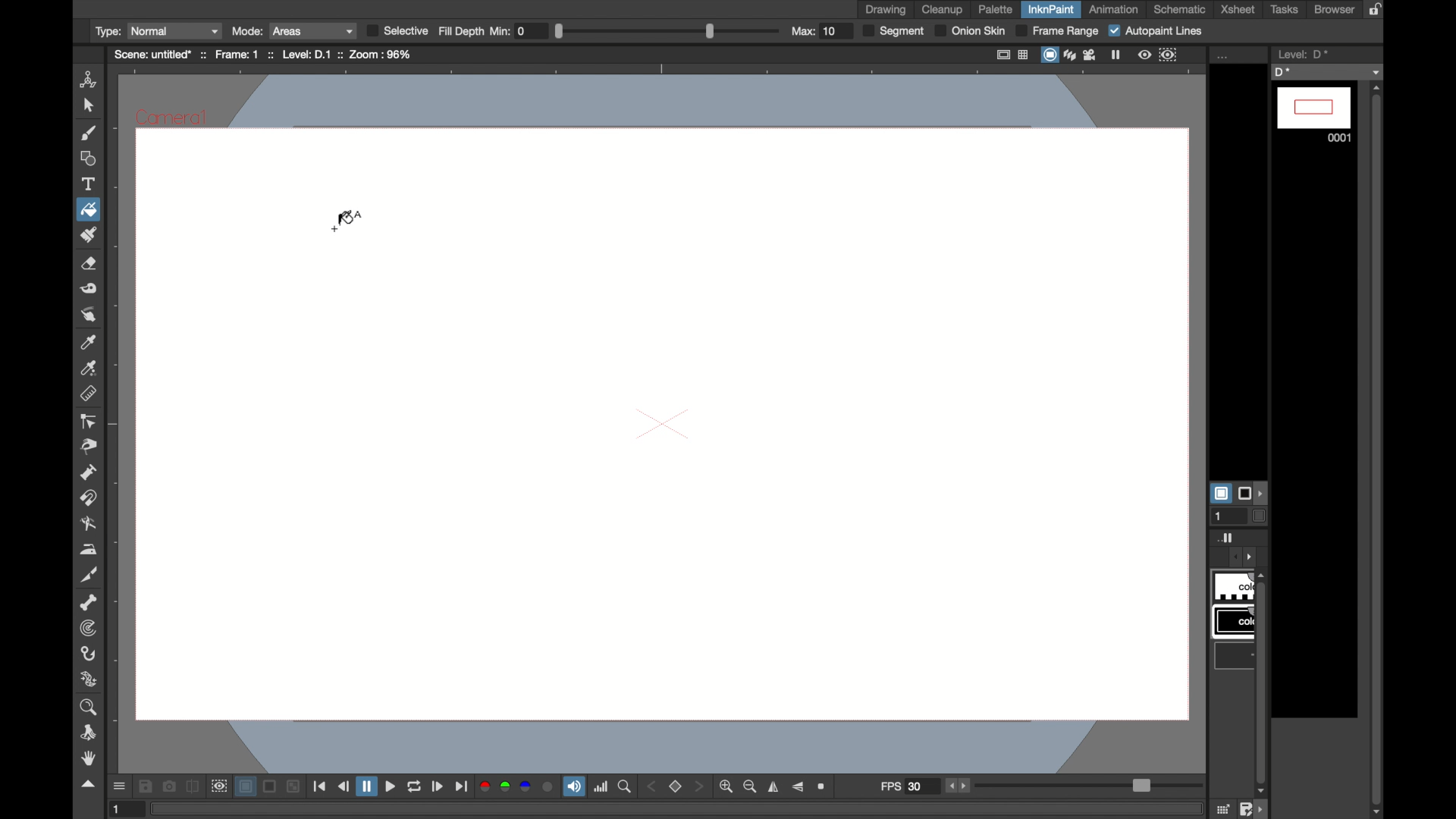  I want to click on D*, so click(1328, 72).